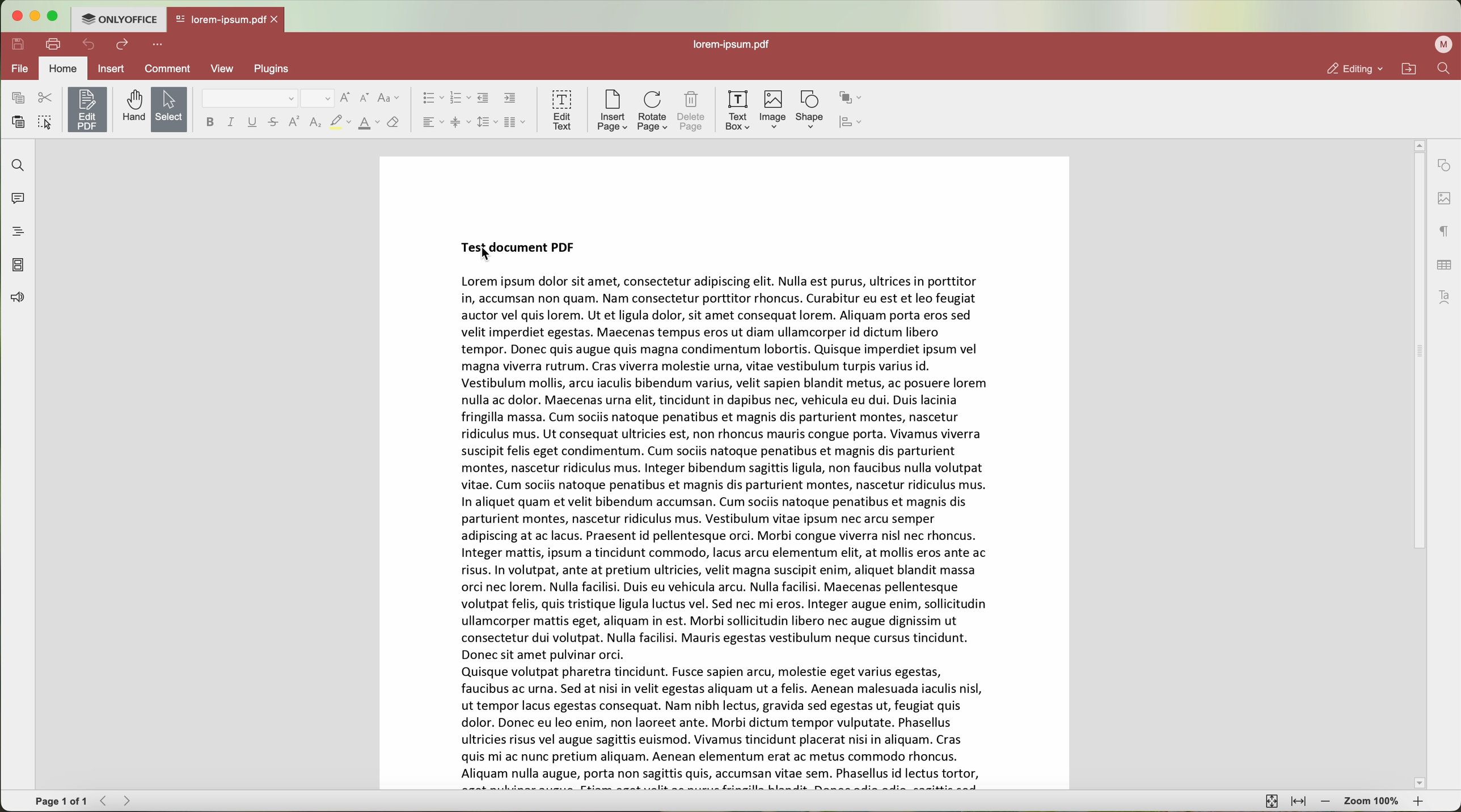 The height and width of the screenshot is (812, 1461). I want to click on strikeout, so click(273, 124).